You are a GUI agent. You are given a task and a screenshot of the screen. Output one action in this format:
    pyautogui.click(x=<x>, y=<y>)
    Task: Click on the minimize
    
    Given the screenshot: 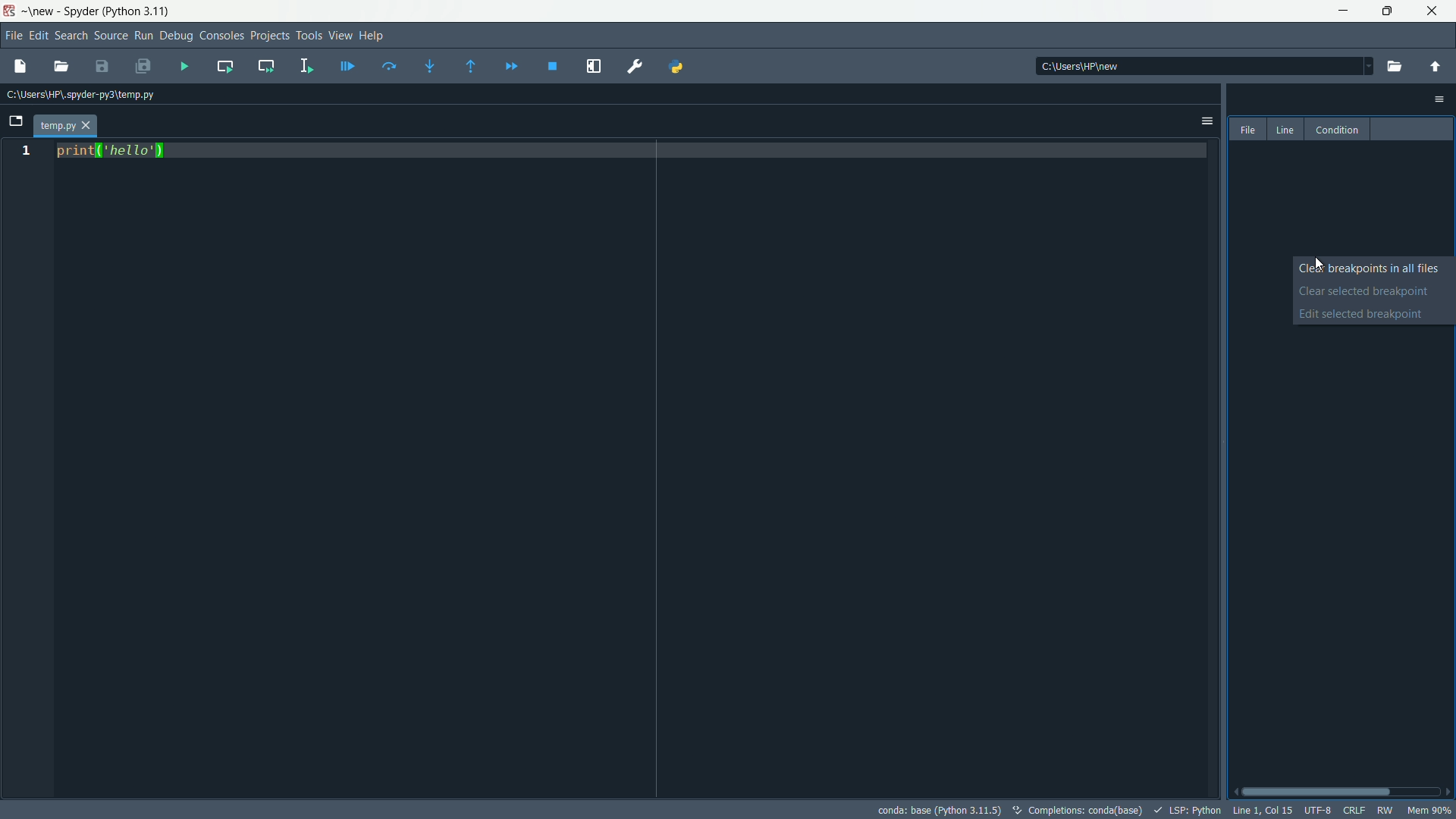 What is the action you would take?
    pyautogui.click(x=1345, y=11)
    